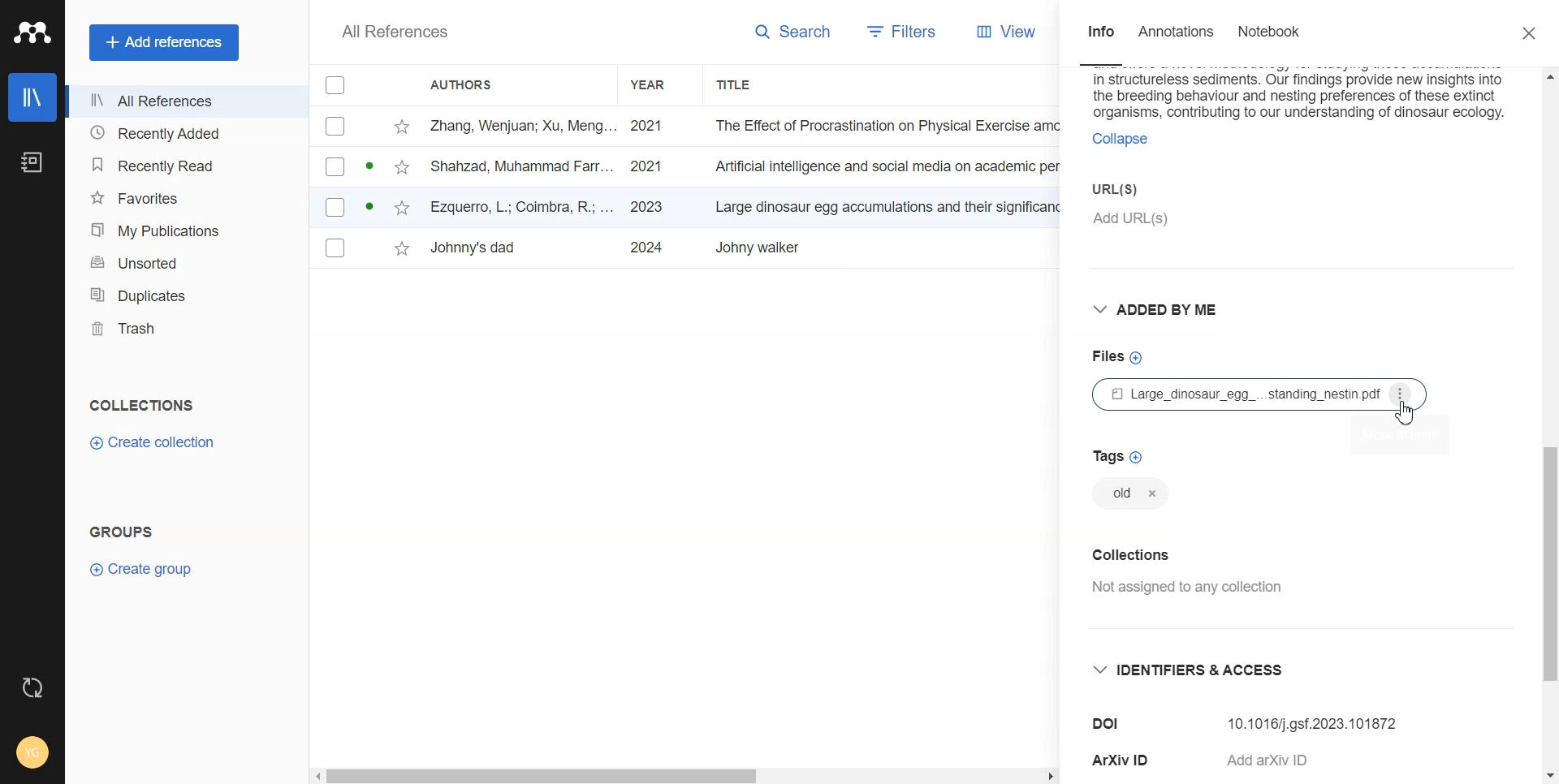 The height and width of the screenshot is (784, 1559). Describe the element at coordinates (909, 31) in the screenshot. I see `Filters` at that location.